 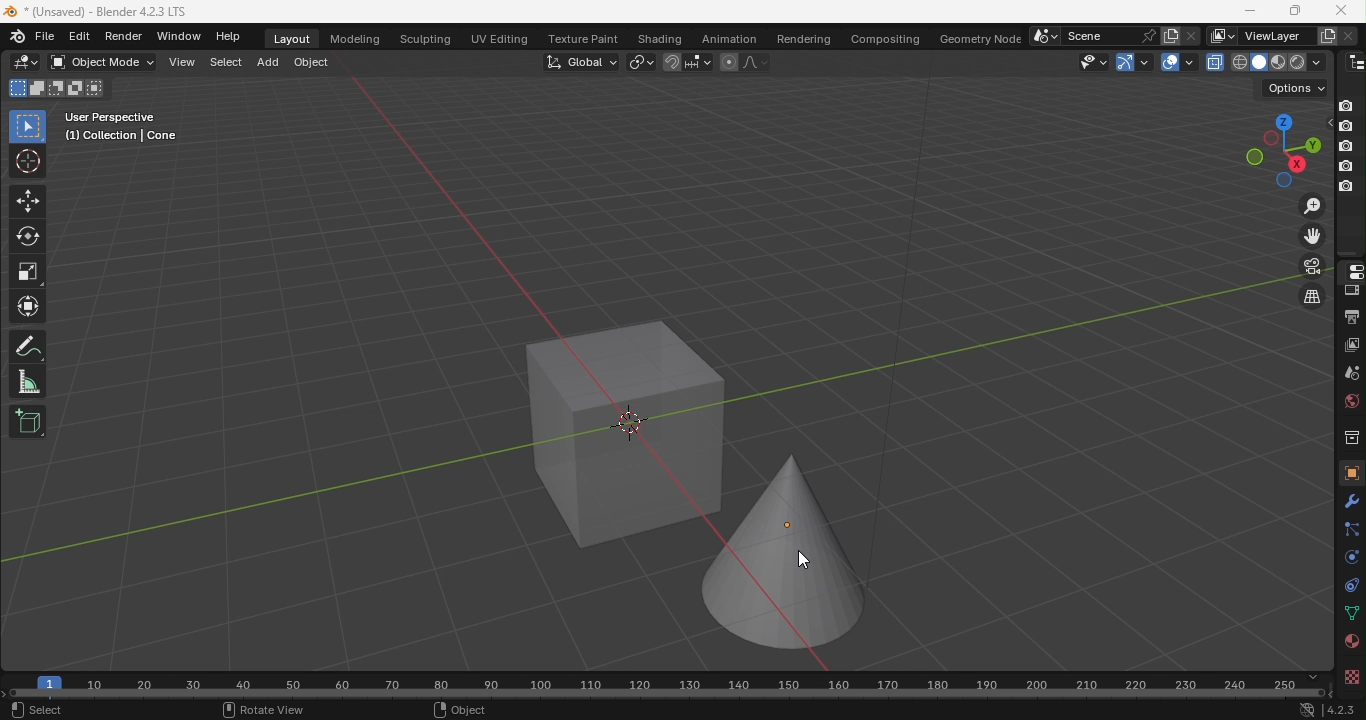 I want to click on Name, so click(x=1275, y=36).